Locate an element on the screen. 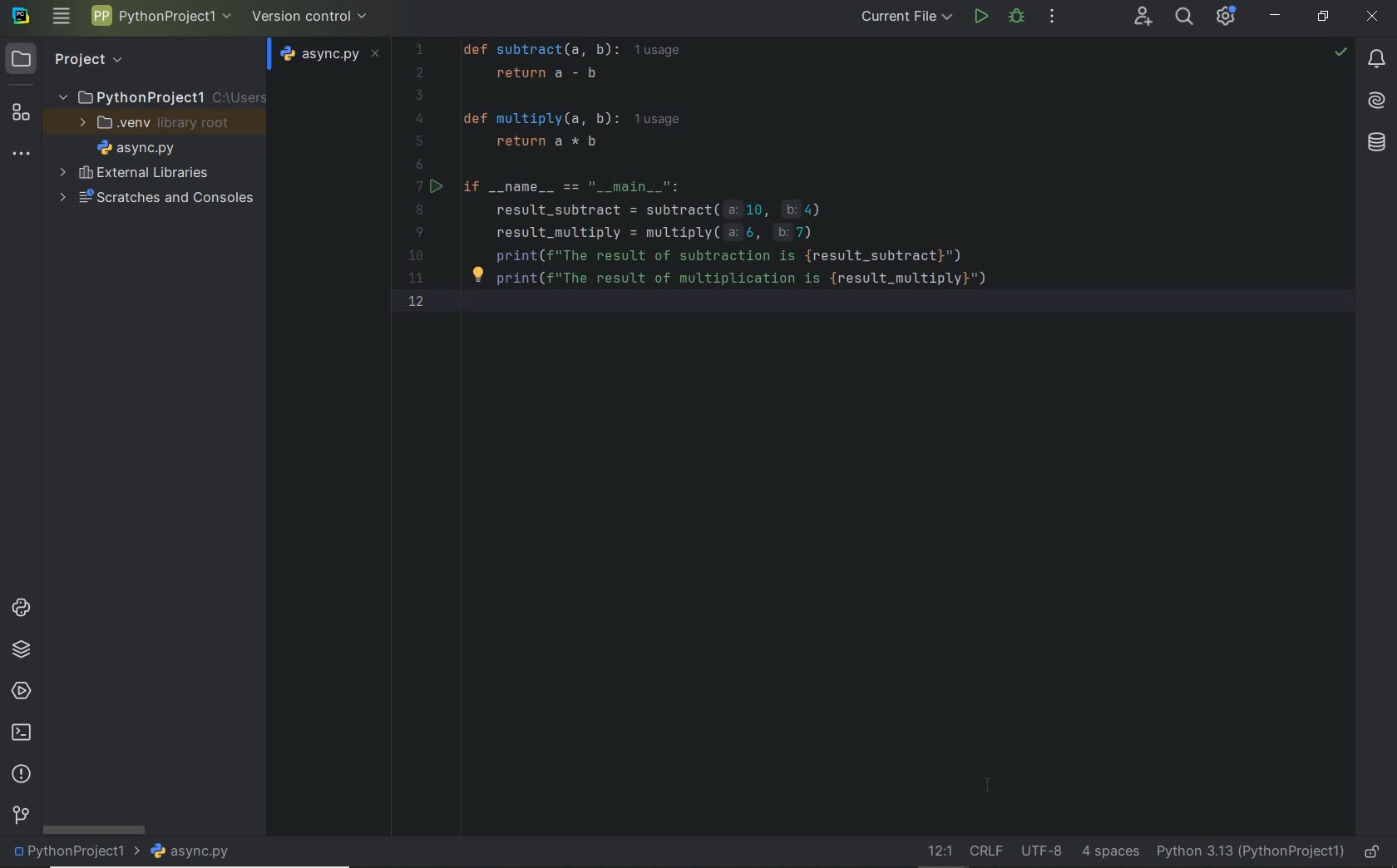  File Encoding is located at coordinates (1043, 852).